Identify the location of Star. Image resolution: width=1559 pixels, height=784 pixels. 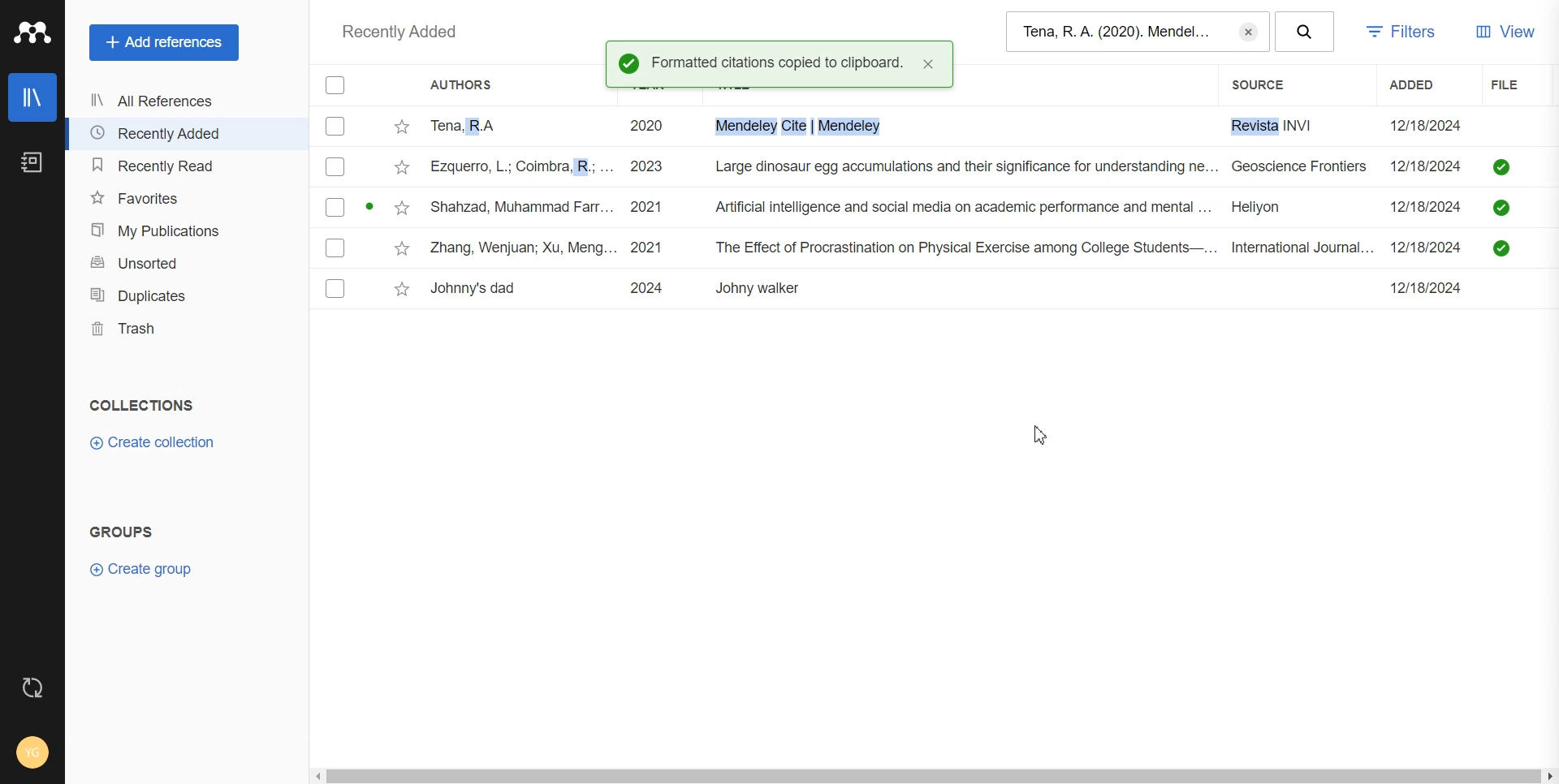
(404, 289).